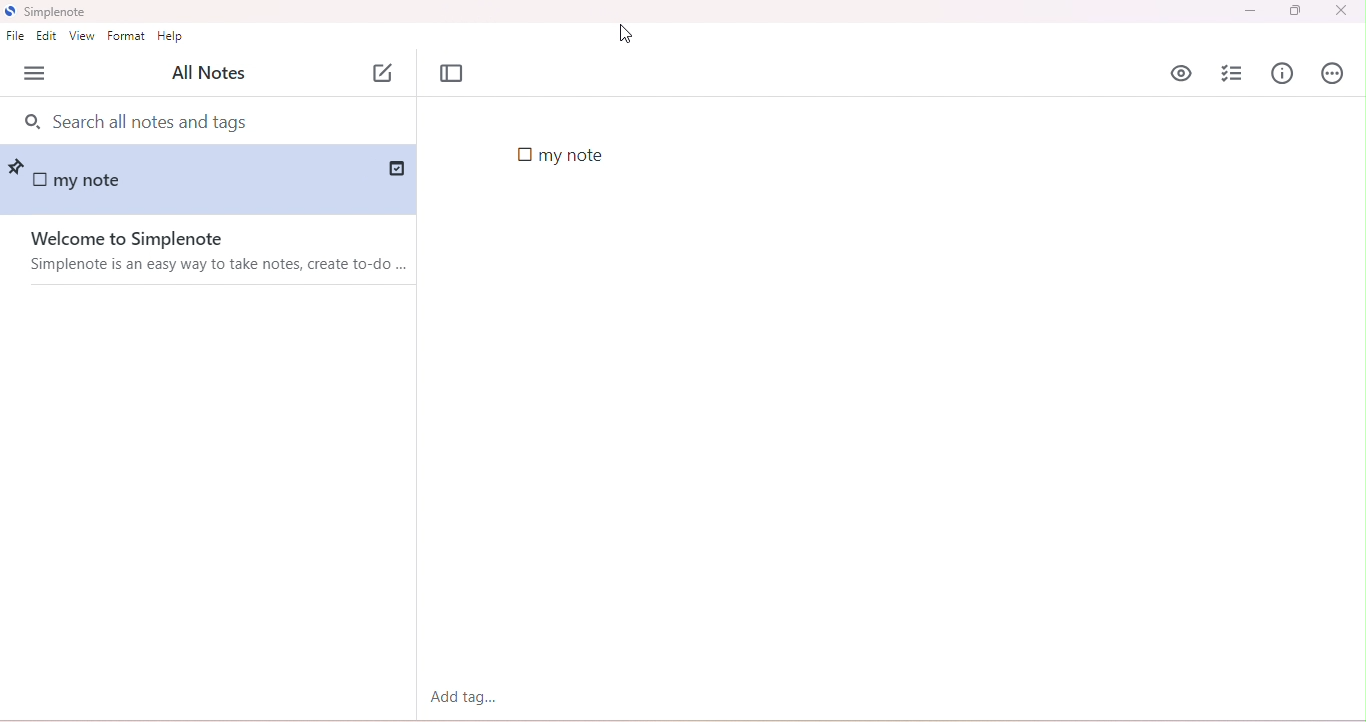  Describe the element at coordinates (126, 35) in the screenshot. I see `format` at that location.